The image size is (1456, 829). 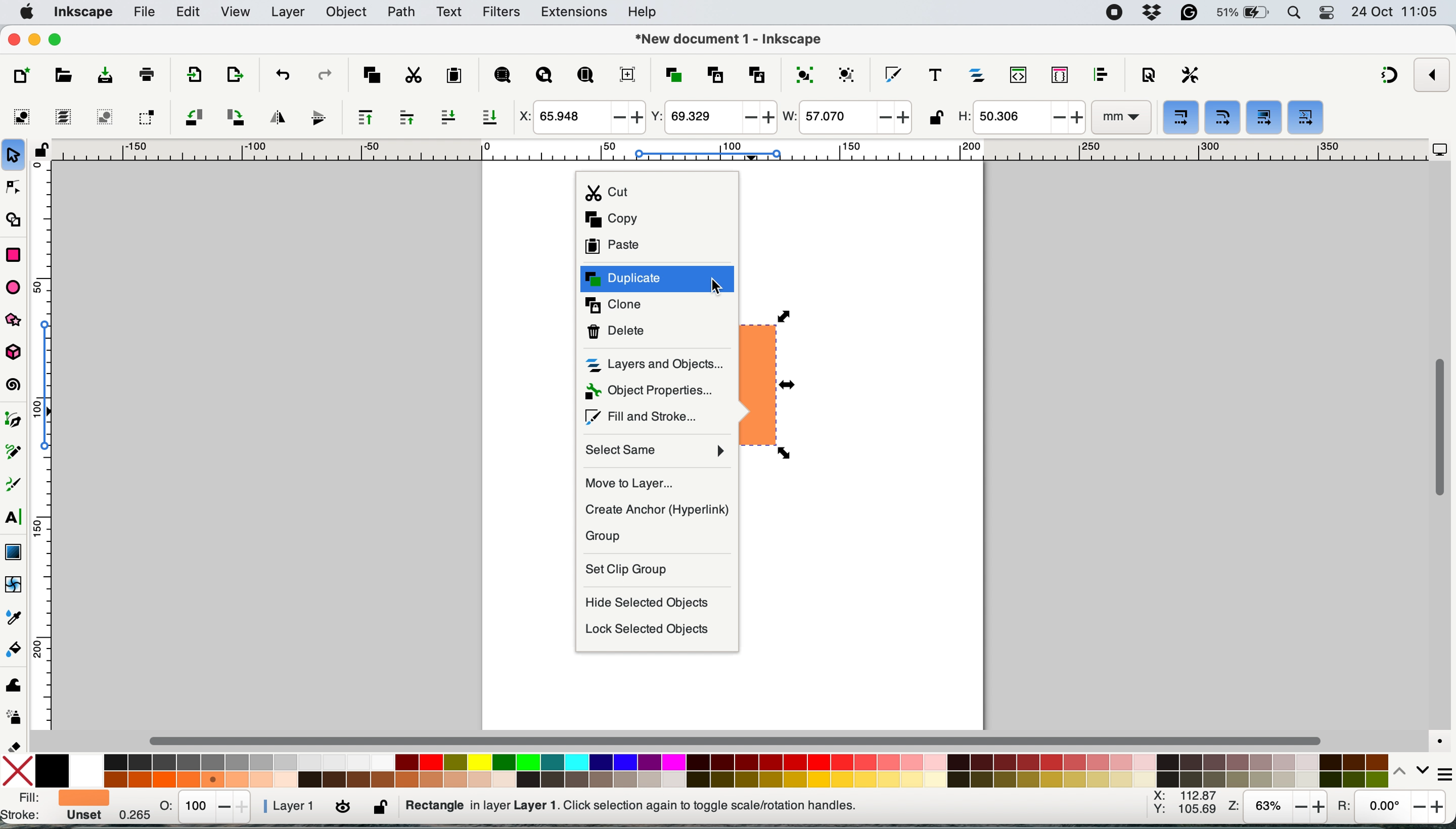 I want to click on import, so click(x=191, y=76).